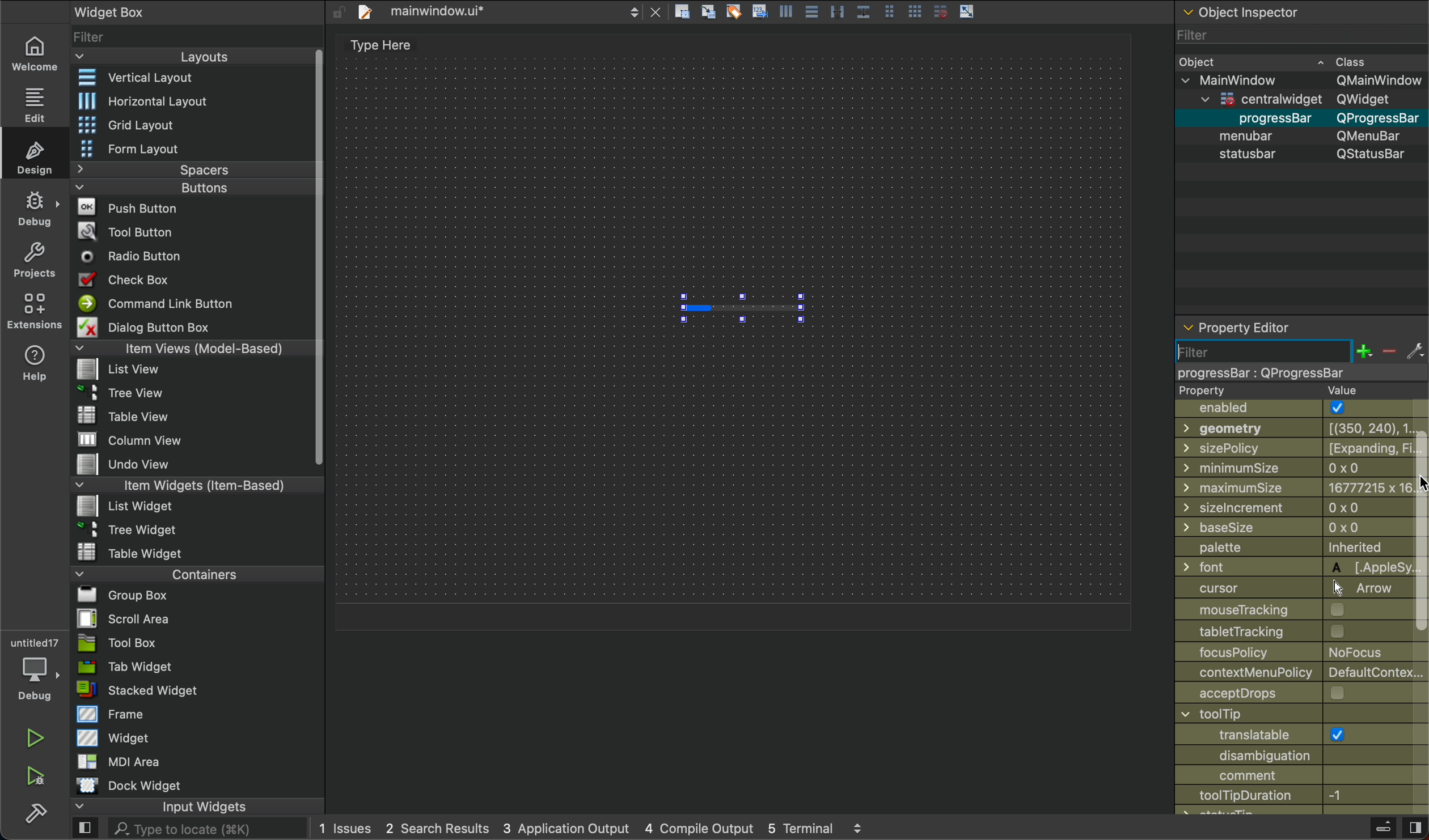 This screenshot has height=840, width=1429. I want to click on File, so click(137, 465).